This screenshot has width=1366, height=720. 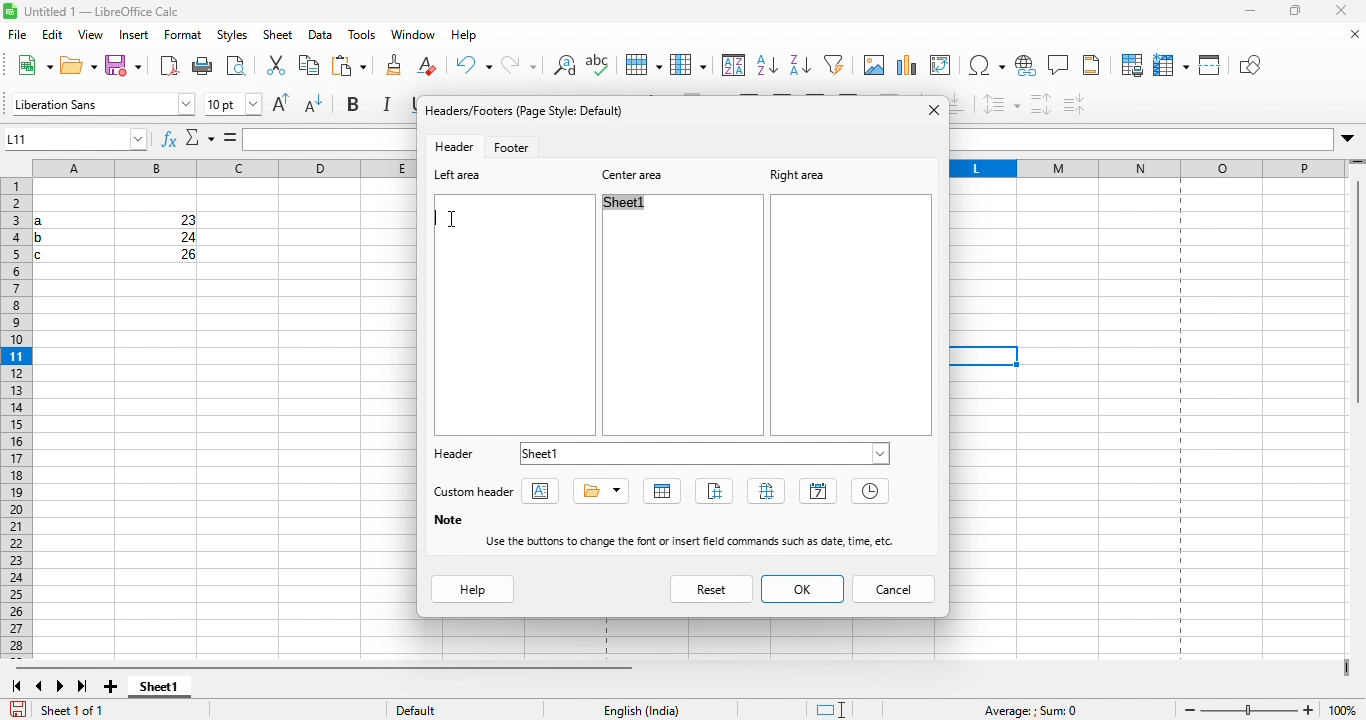 I want to click on formula, so click(x=233, y=139).